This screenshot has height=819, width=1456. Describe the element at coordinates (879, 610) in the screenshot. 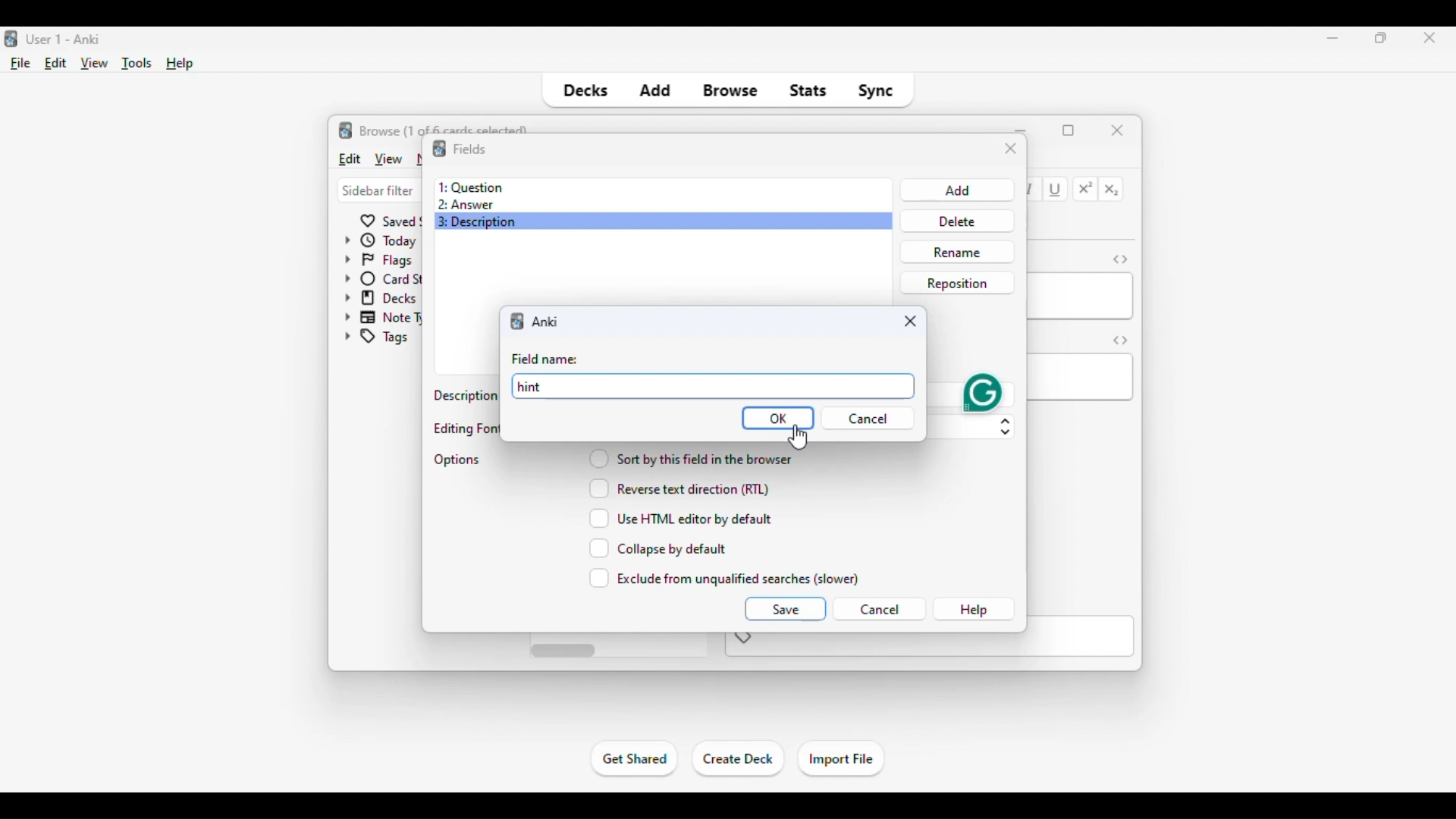

I see `cancel` at that location.